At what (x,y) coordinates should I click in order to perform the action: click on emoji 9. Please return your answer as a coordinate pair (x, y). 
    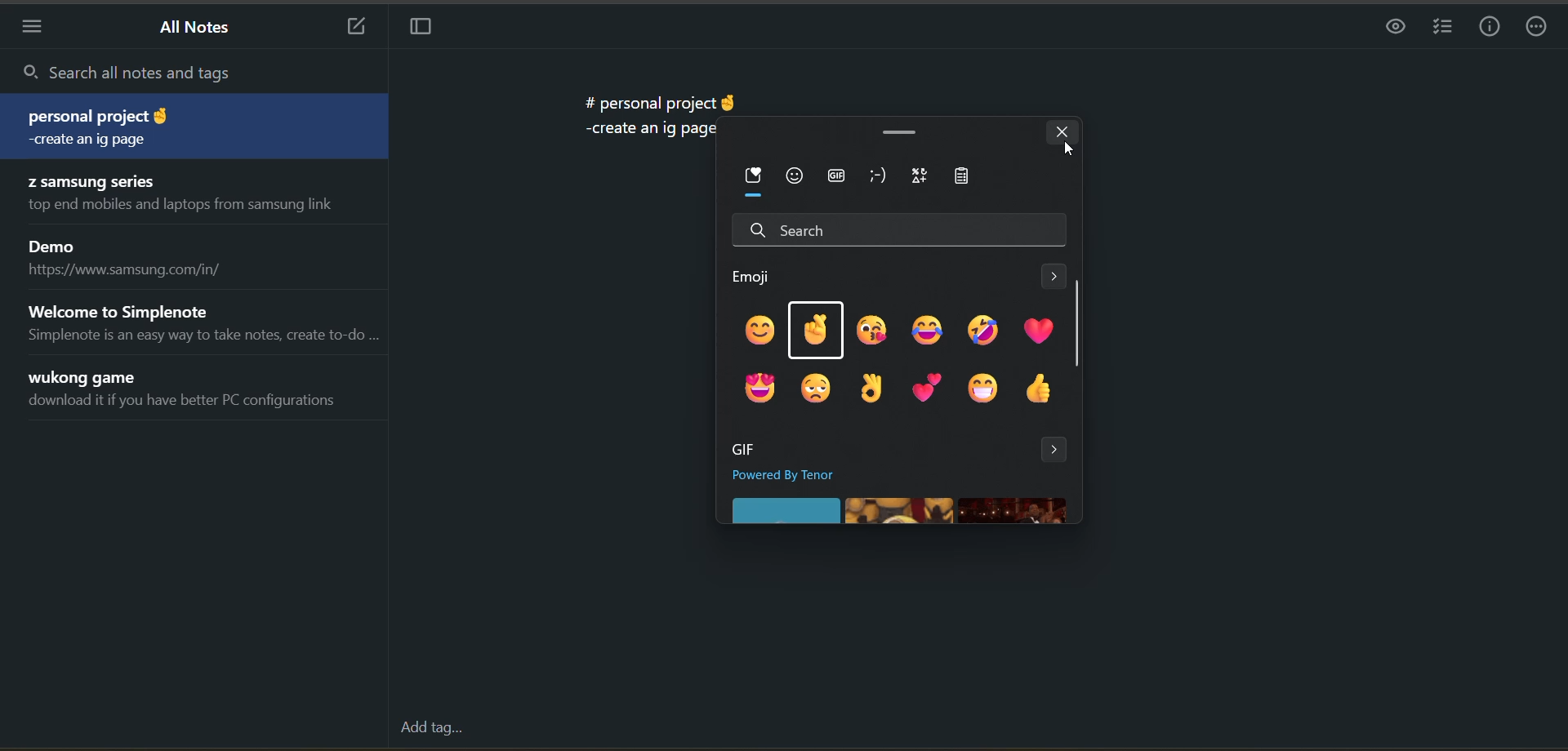
    Looking at the image, I should click on (871, 389).